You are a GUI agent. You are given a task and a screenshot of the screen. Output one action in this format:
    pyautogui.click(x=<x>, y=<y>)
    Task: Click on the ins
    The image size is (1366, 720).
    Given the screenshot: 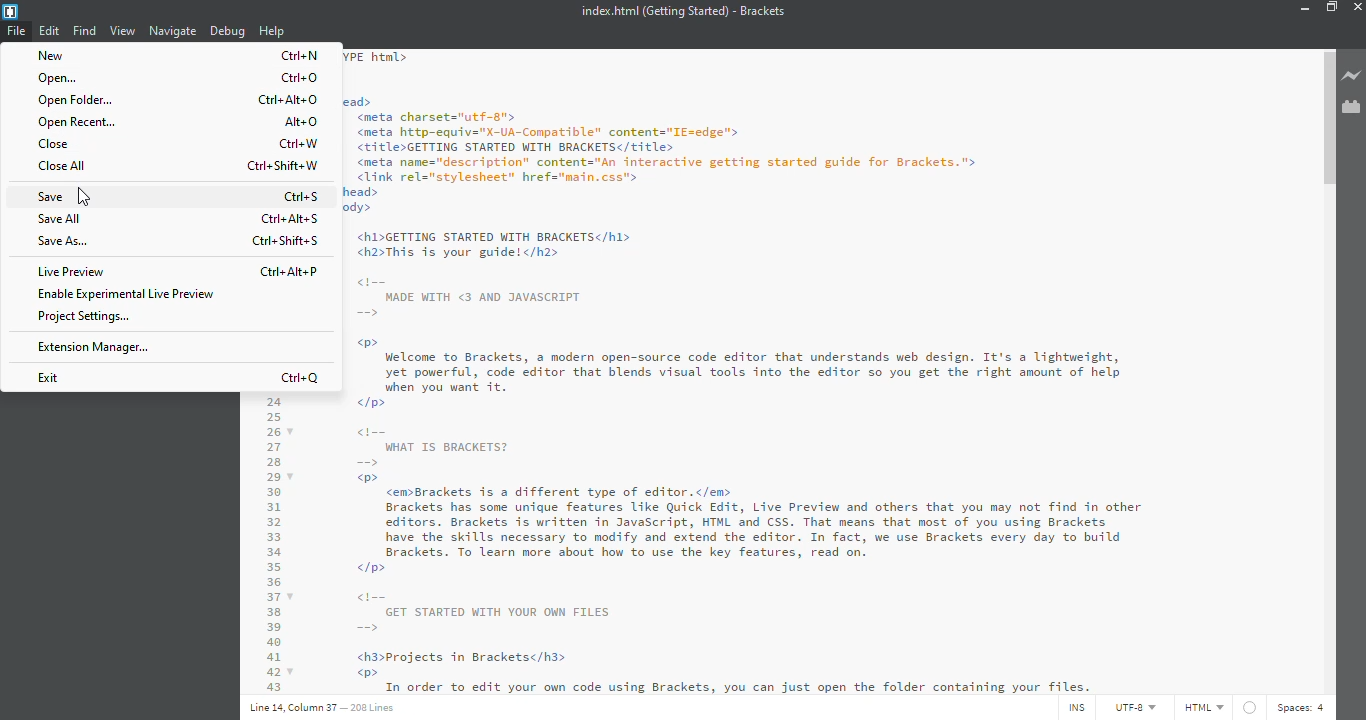 What is the action you would take?
    pyautogui.click(x=1074, y=706)
    